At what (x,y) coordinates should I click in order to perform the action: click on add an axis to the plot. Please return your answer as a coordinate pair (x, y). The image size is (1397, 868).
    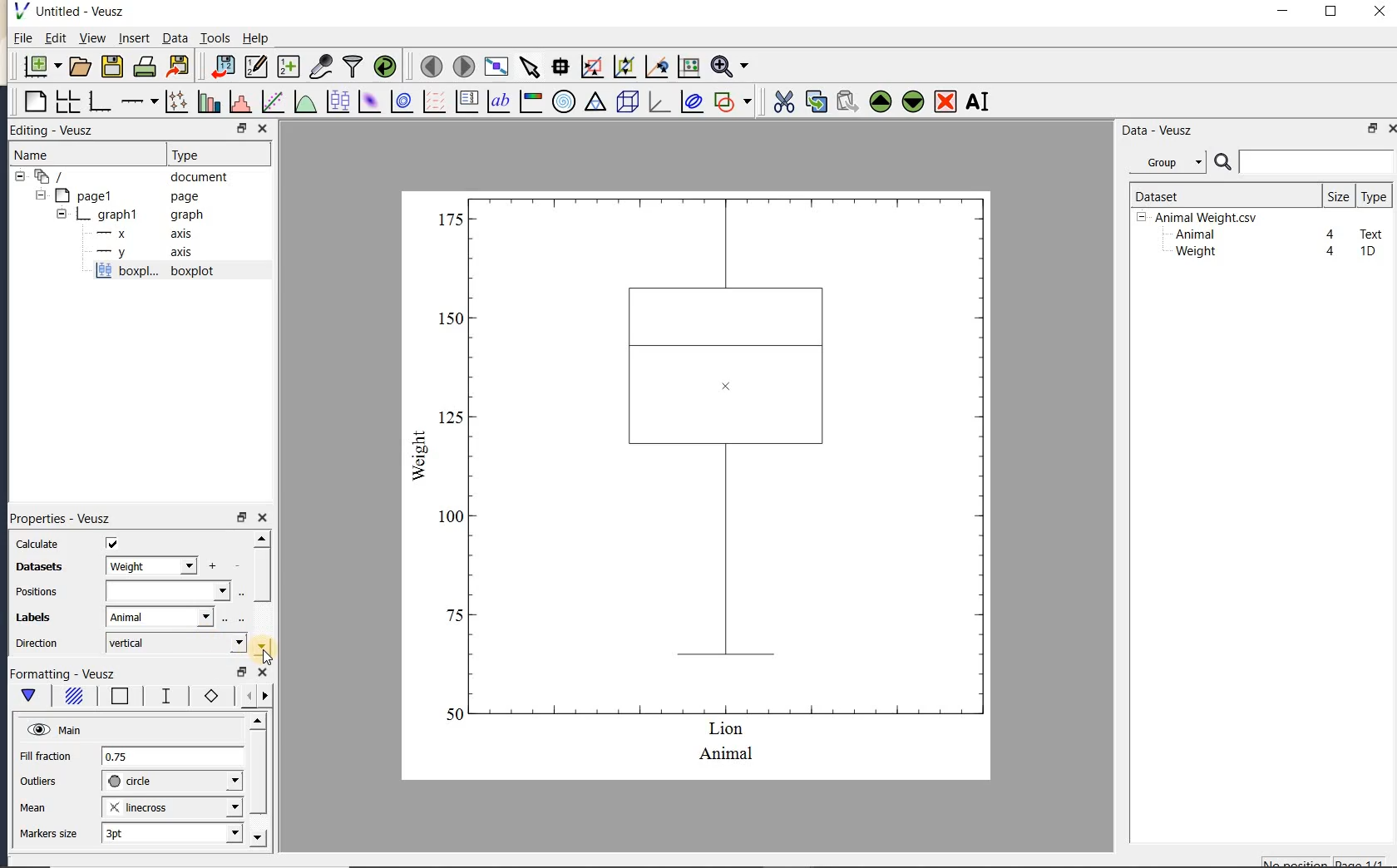
    Looking at the image, I should click on (139, 101).